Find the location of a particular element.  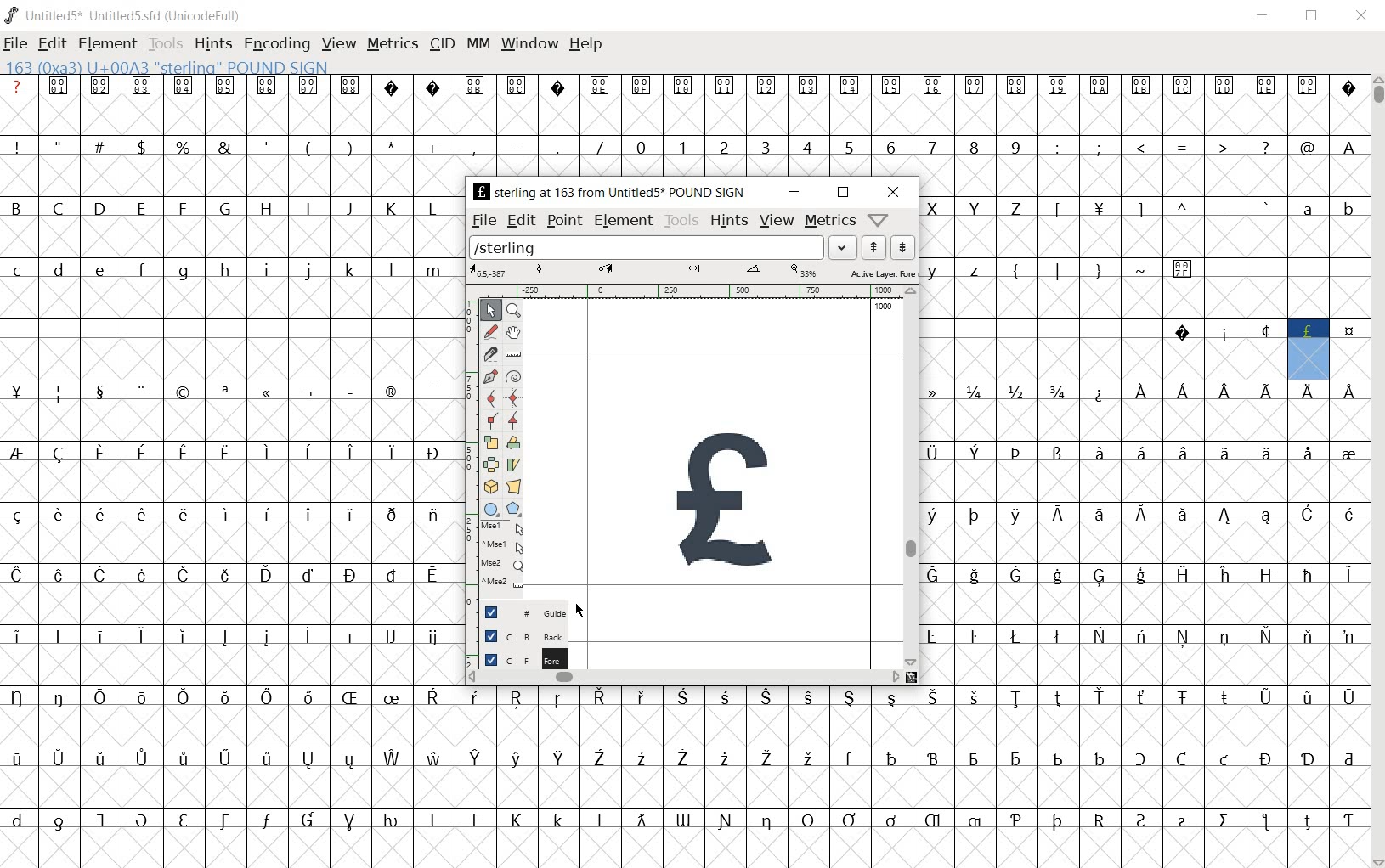

Symbol is located at coordinates (682, 759).